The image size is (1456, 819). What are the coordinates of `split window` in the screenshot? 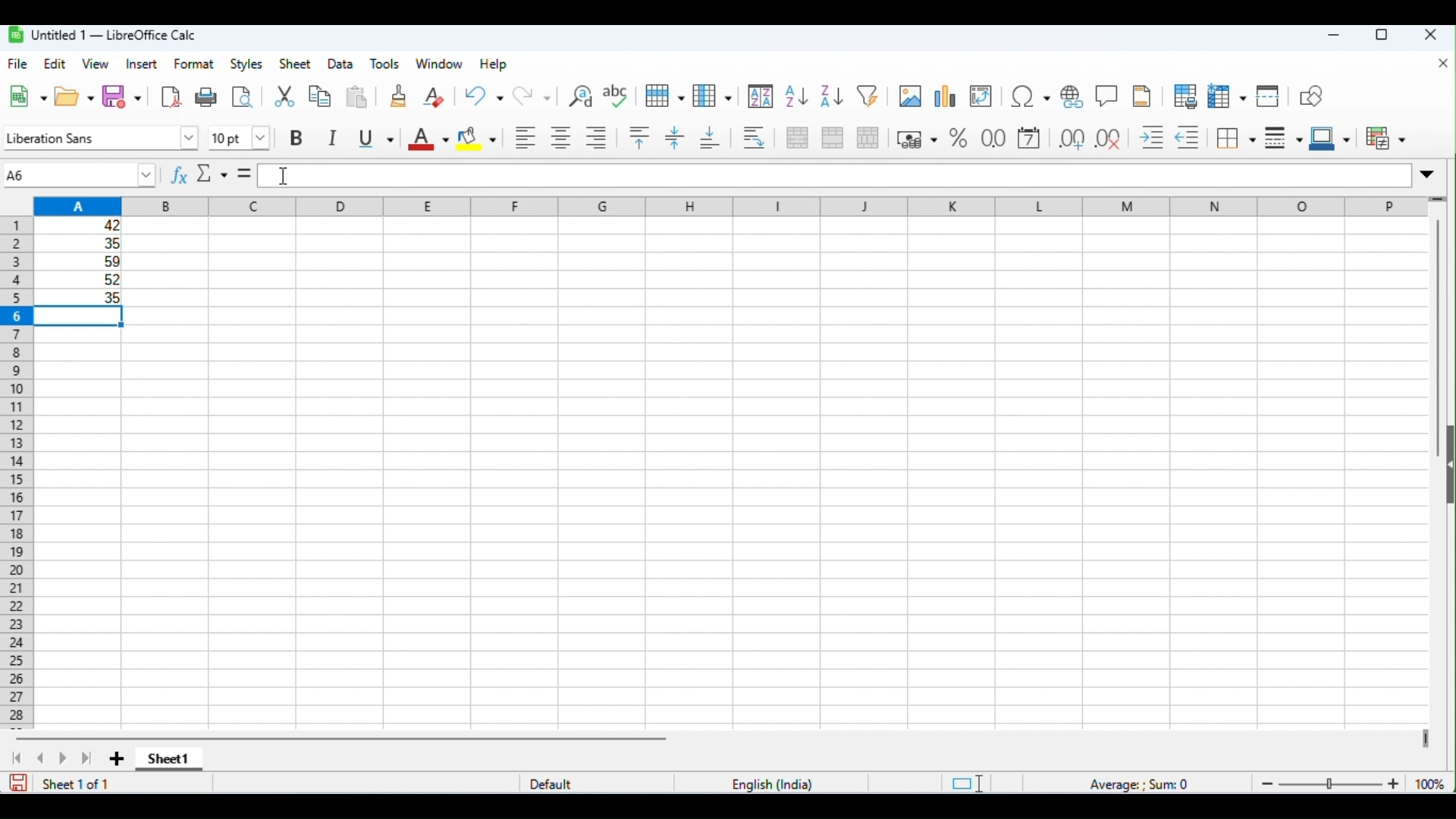 It's located at (1269, 96).